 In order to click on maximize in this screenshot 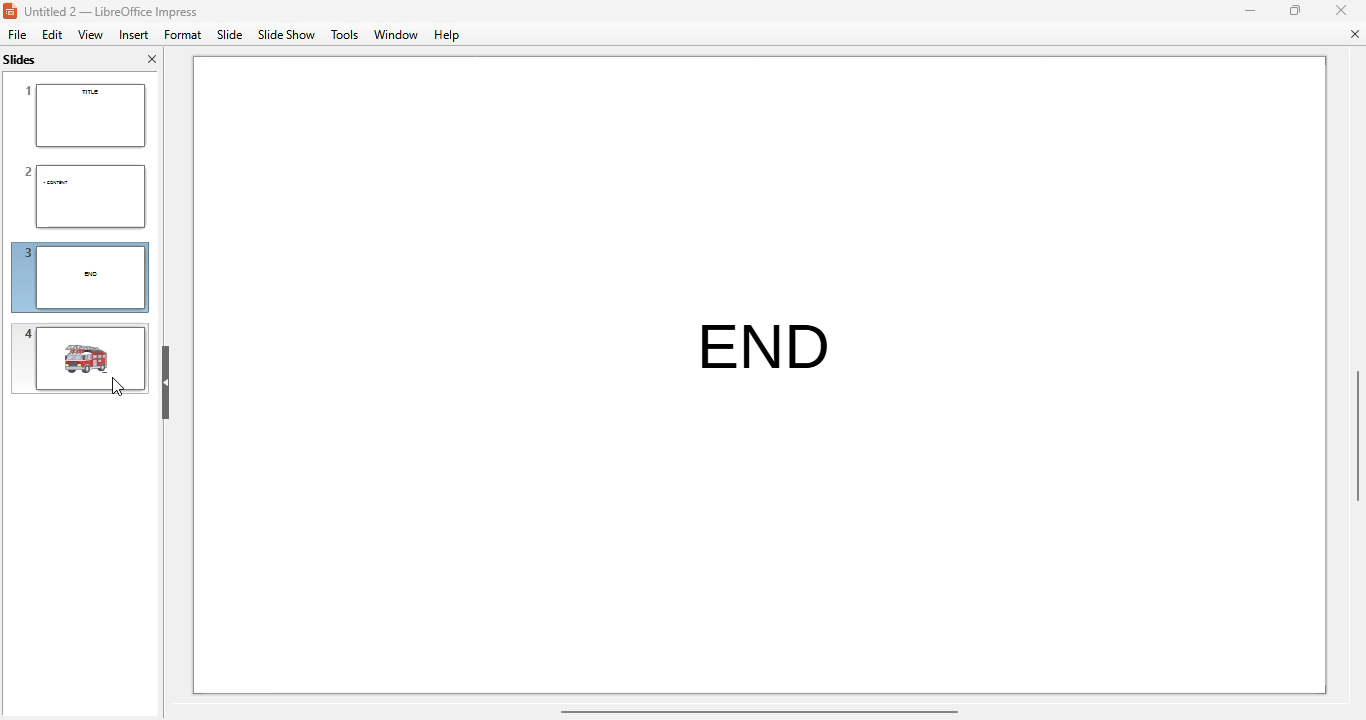, I will do `click(1295, 9)`.